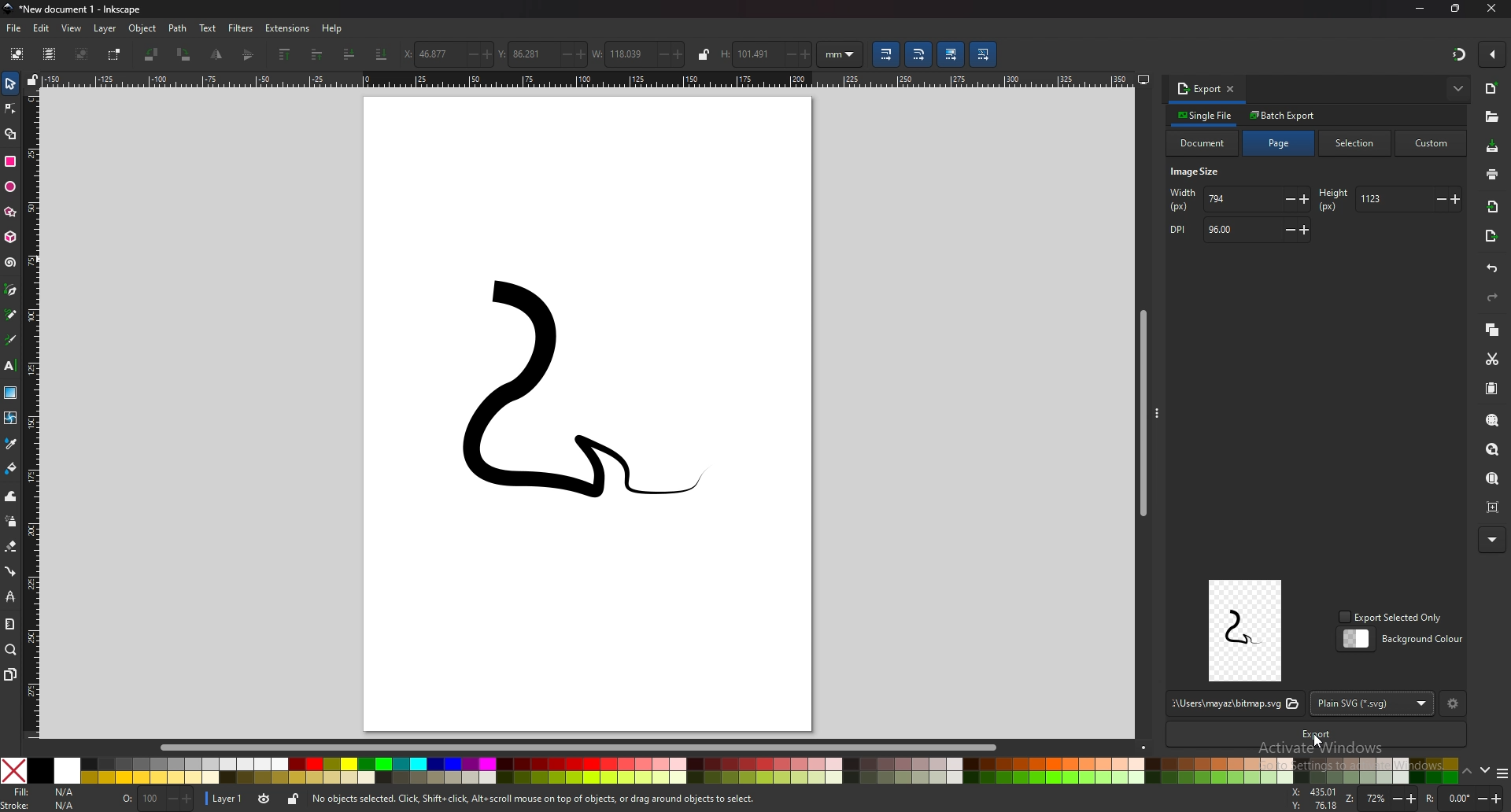 Image resolution: width=1511 pixels, height=812 pixels. I want to click on zoom drawing, so click(1495, 450).